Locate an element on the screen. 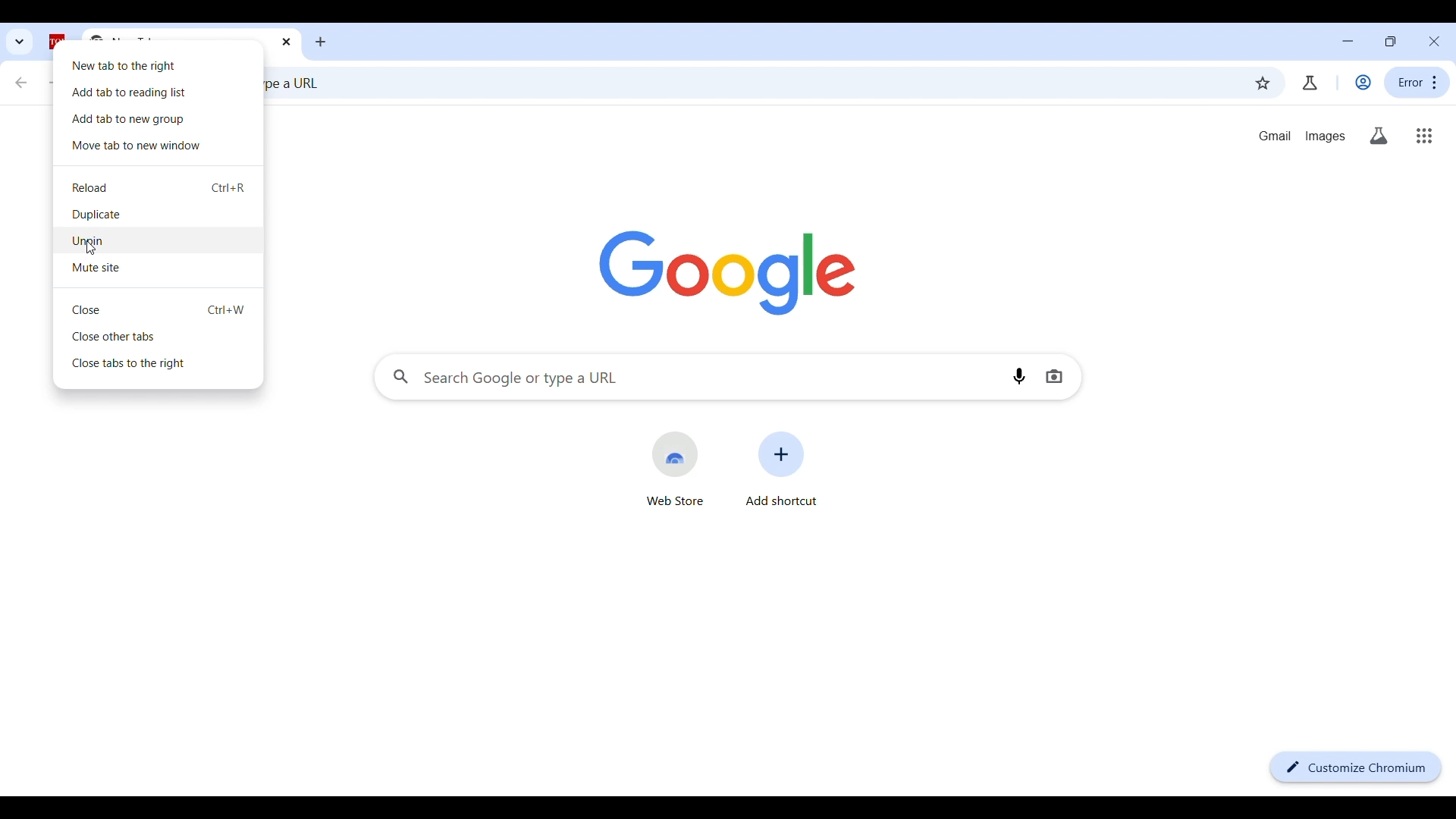 The height and width of the screenshot is (819, 1456). Add tab to new group is located at coordinates (158, 120).